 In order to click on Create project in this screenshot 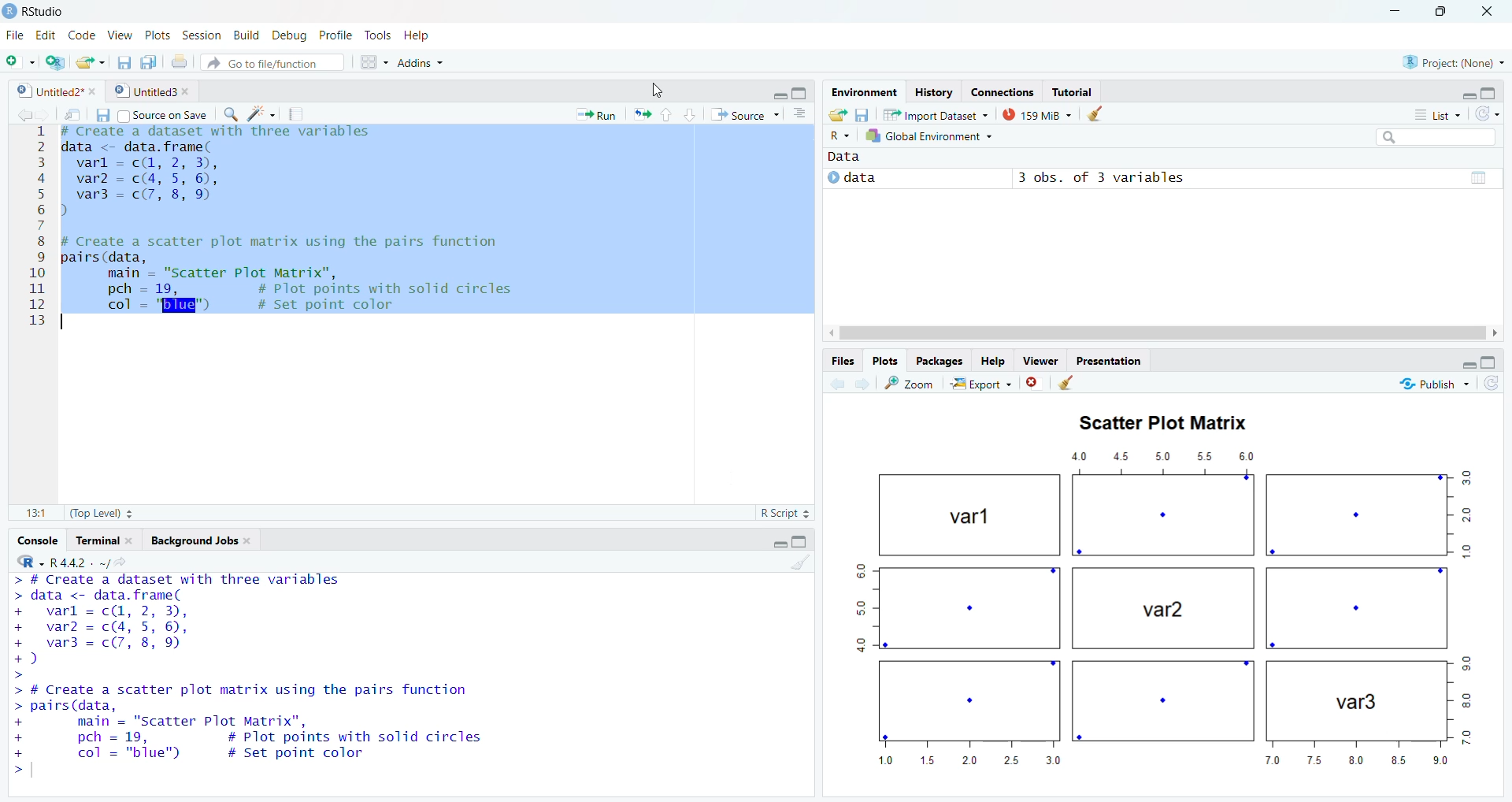, I will do `click(56, 62)`.